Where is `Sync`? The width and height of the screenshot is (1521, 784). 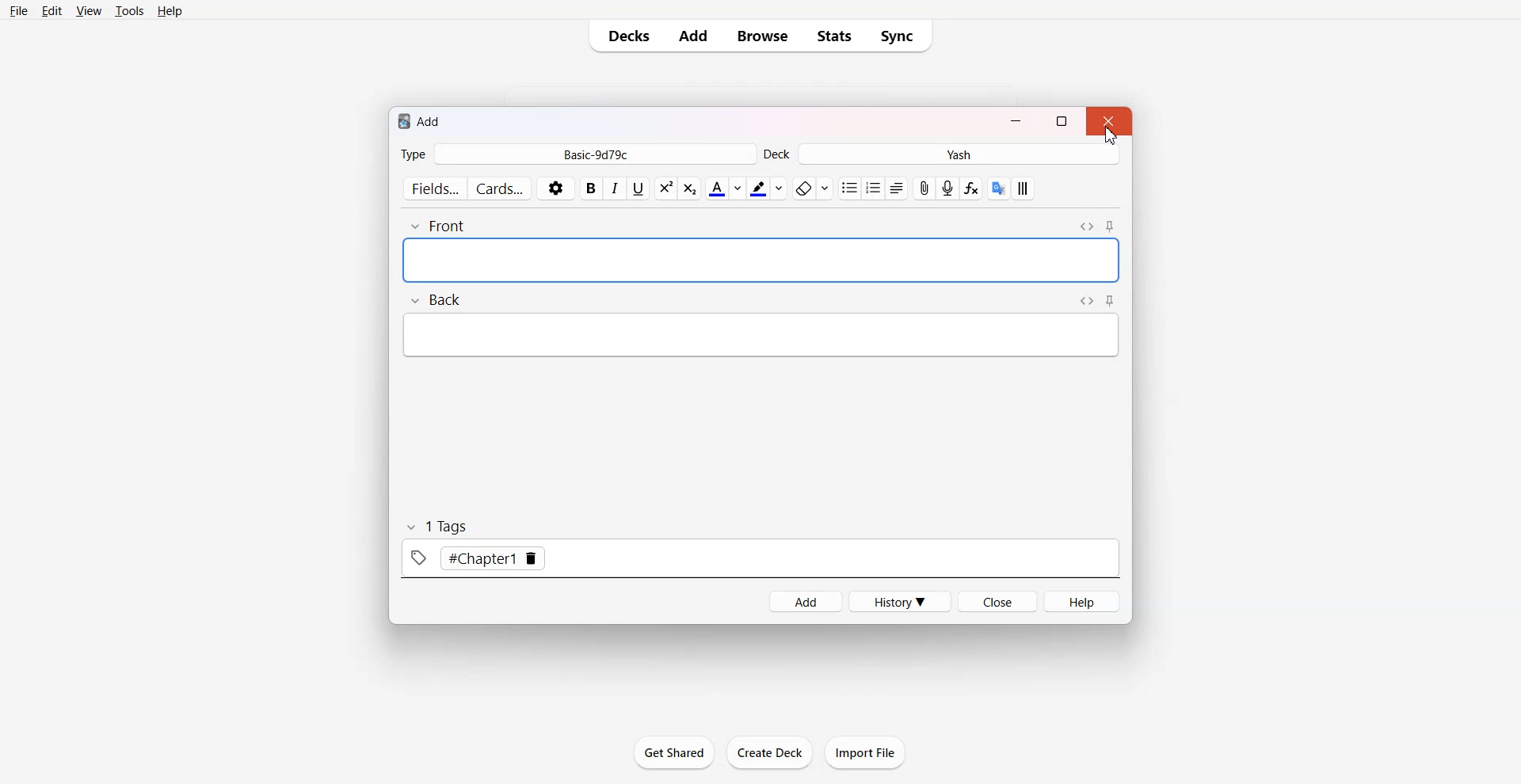 Sync is located at coordinates (902, 36).